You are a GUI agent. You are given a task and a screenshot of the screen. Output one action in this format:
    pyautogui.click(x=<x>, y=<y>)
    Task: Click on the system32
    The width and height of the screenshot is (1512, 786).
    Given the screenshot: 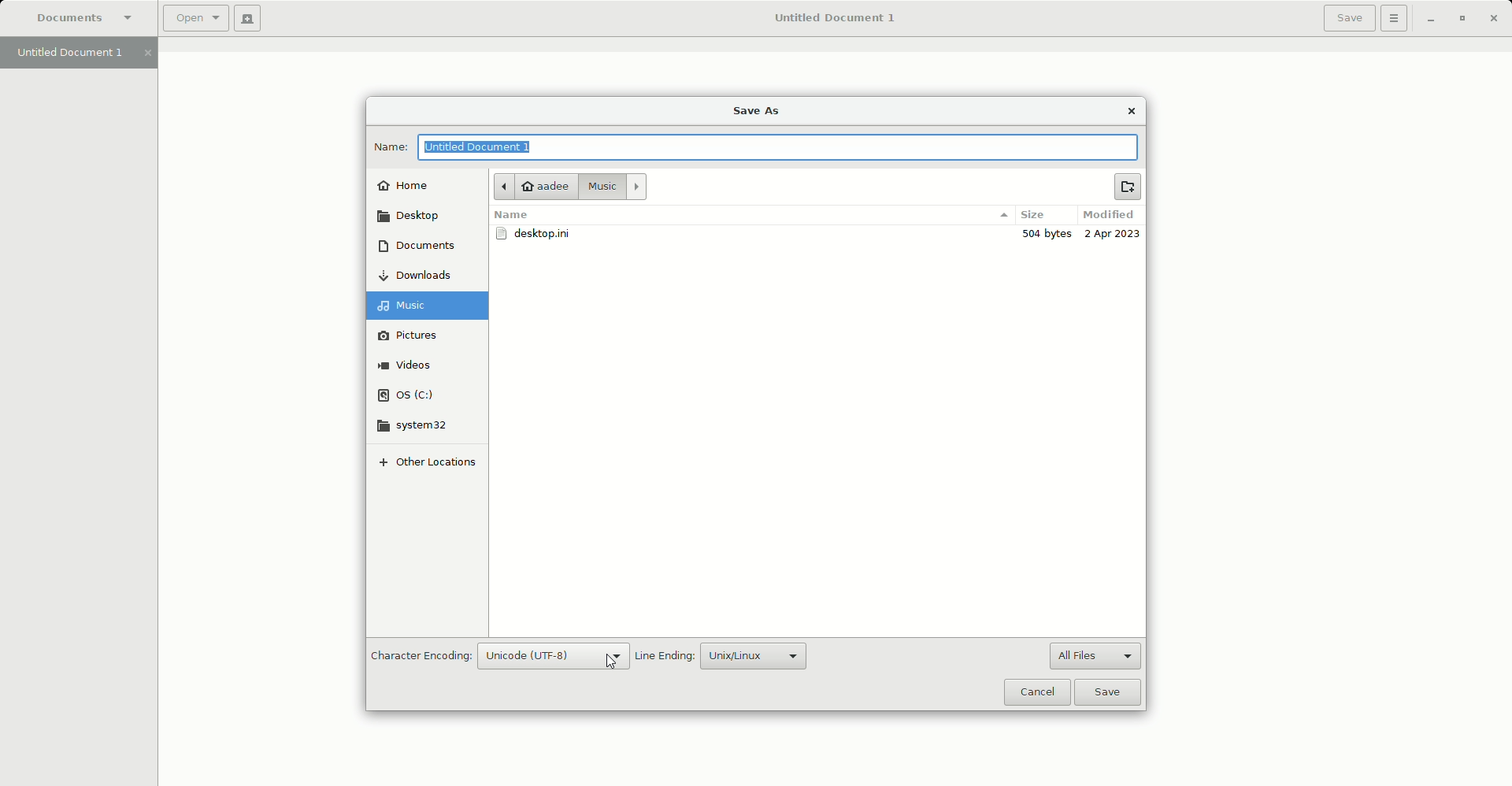 What is the action you would take?
    pyautogui.click(x=427, y=425)
    